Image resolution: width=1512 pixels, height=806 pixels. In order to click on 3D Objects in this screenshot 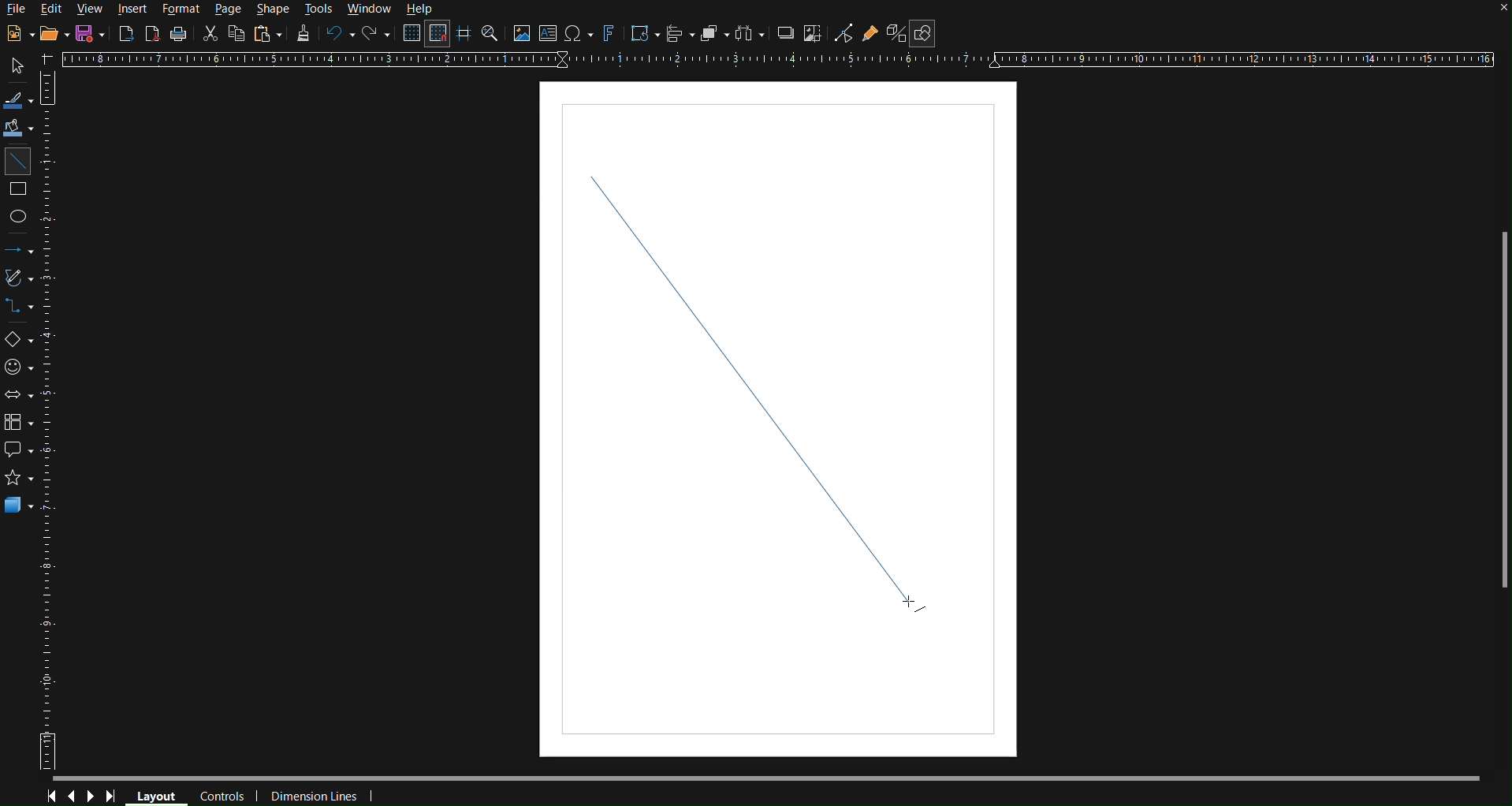, I will do `click(19, 504)`.